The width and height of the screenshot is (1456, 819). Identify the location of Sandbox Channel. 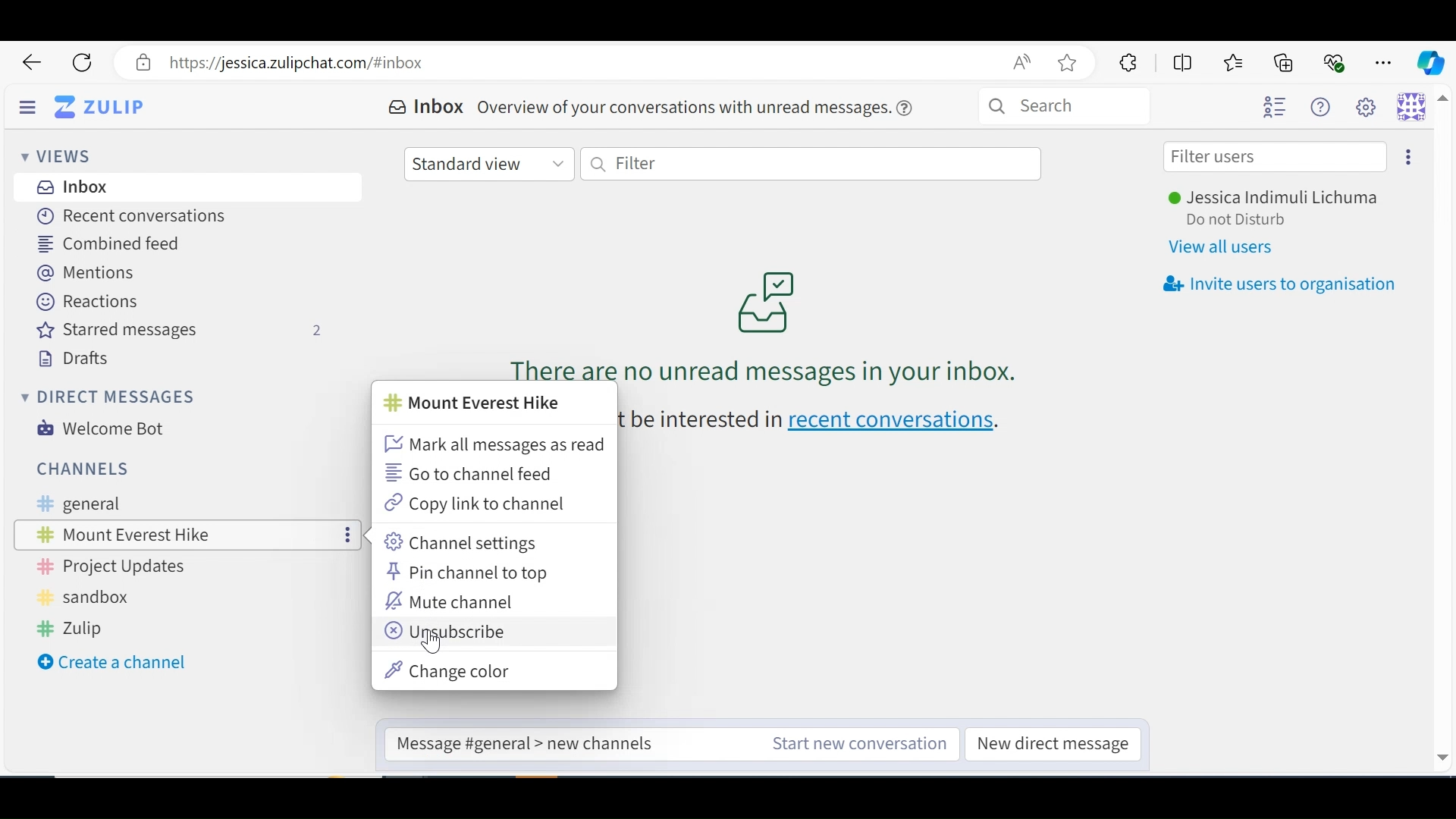
(99, 598).